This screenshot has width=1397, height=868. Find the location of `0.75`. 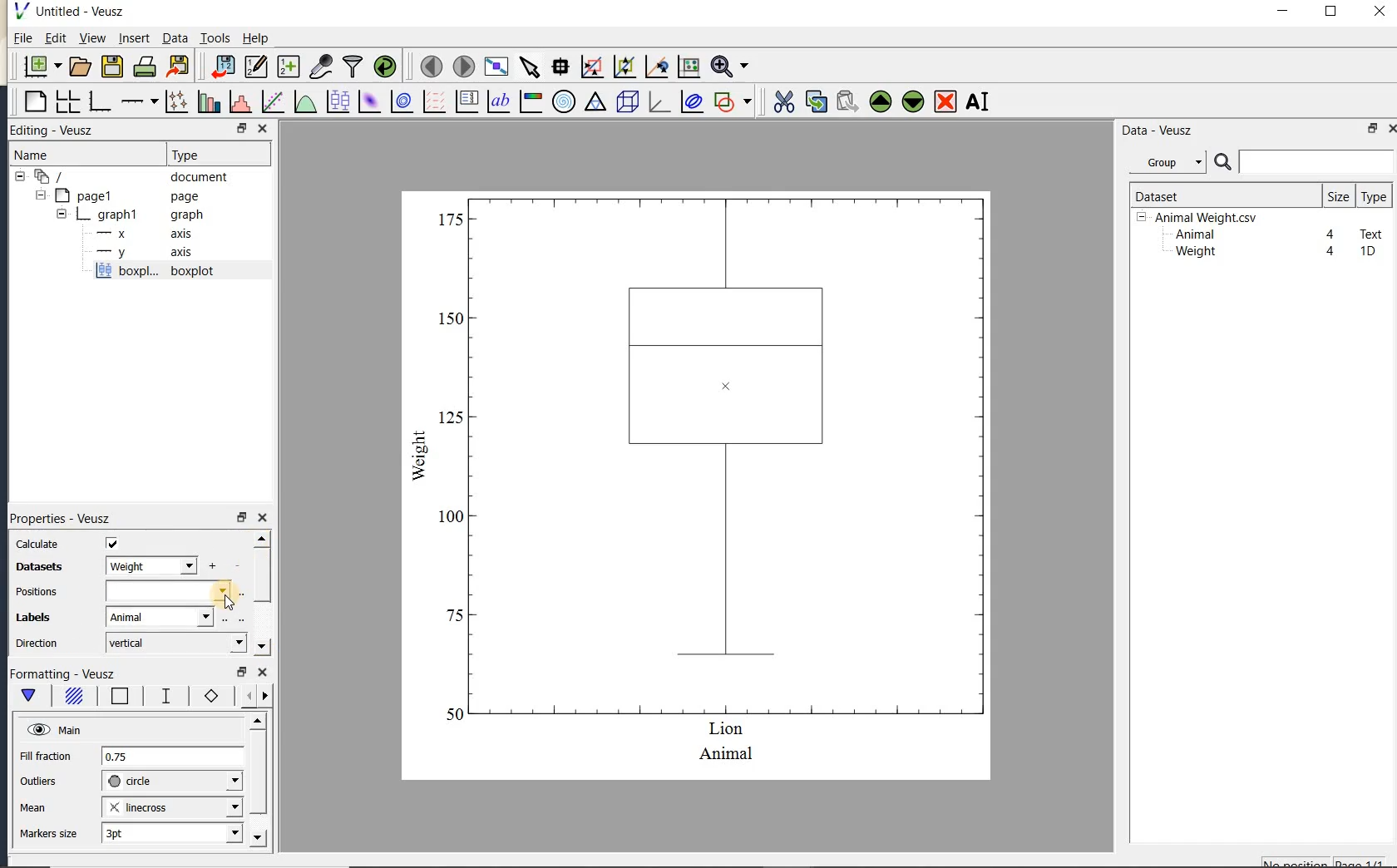

0.75 is located at coordinates (172, 757).